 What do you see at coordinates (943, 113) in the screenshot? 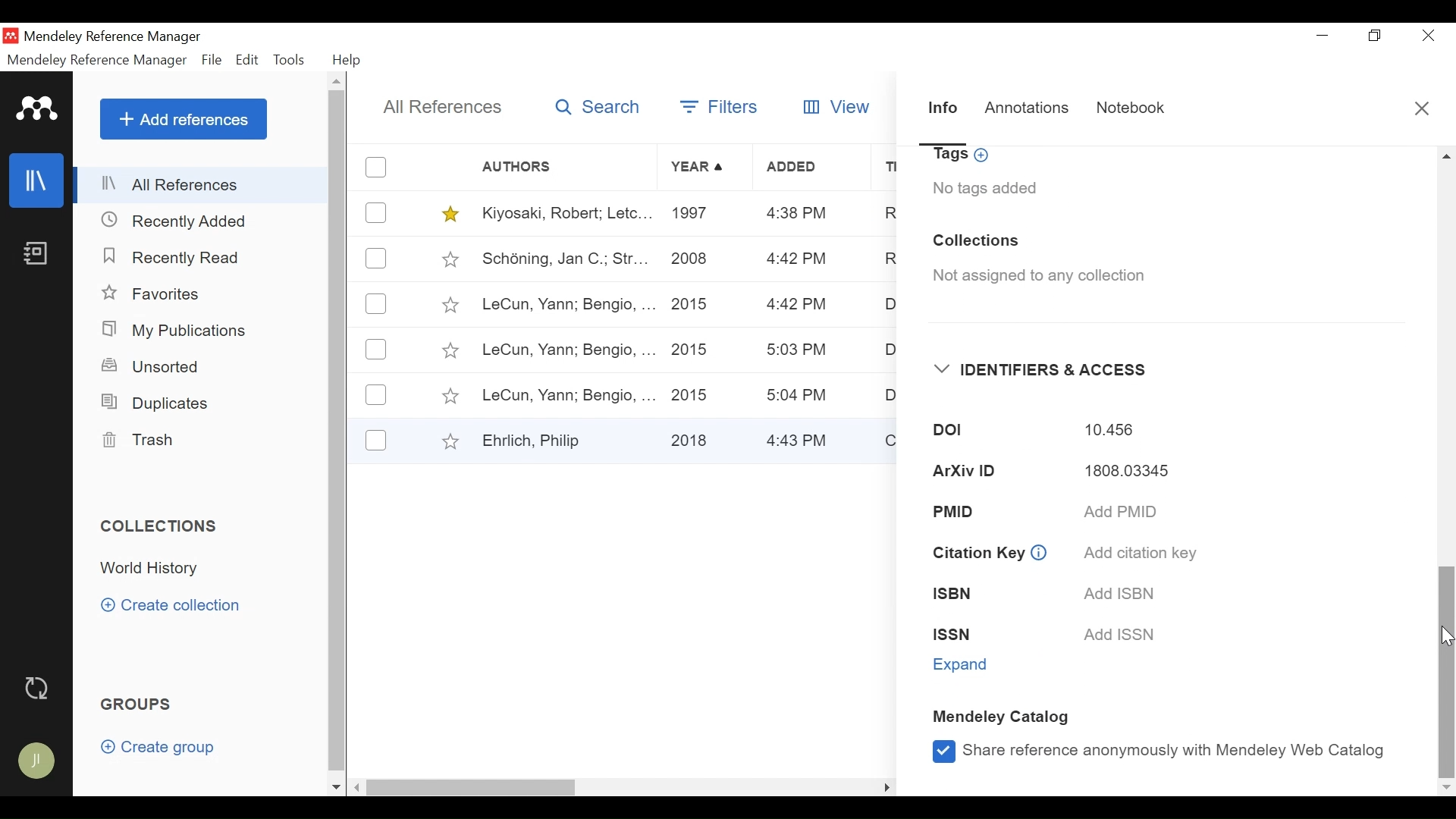
I see `Information` at bounding box center [943, 113].